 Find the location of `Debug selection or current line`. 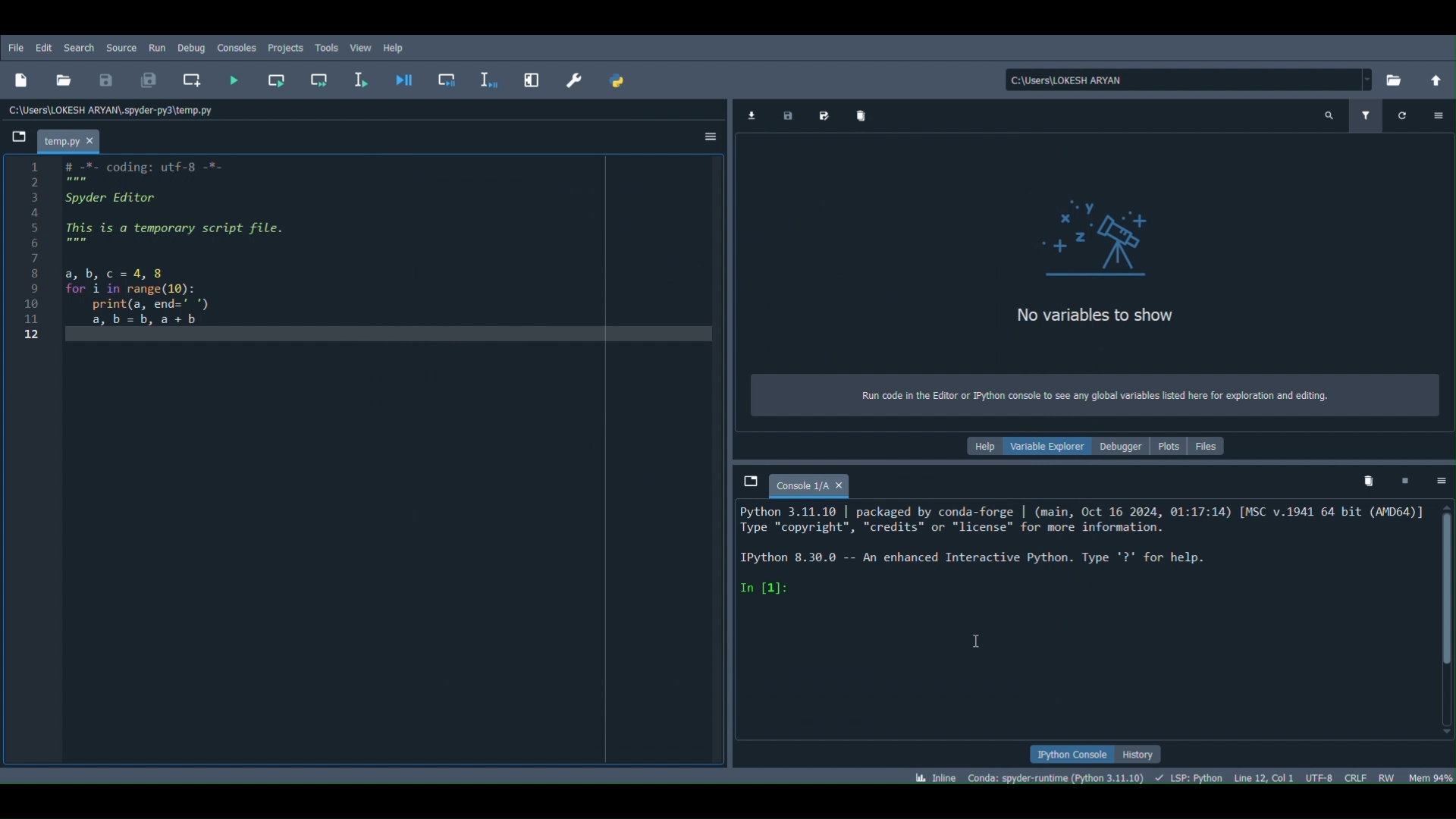

Debug selection or current line is located at coordinates (483, 77).